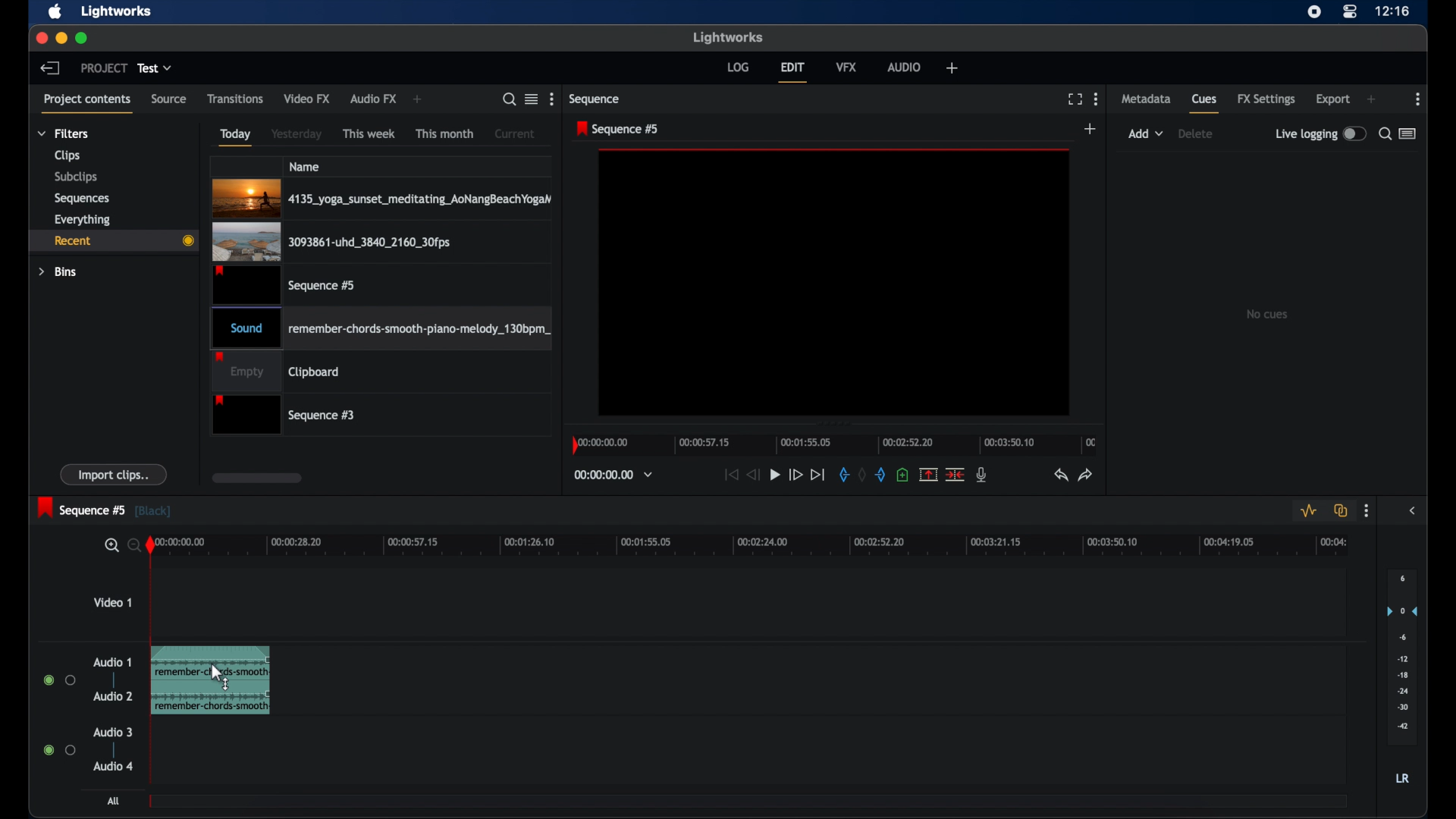 This screenshot has height=819, width=1456. I want to click on audio fx, so click(372, 99).